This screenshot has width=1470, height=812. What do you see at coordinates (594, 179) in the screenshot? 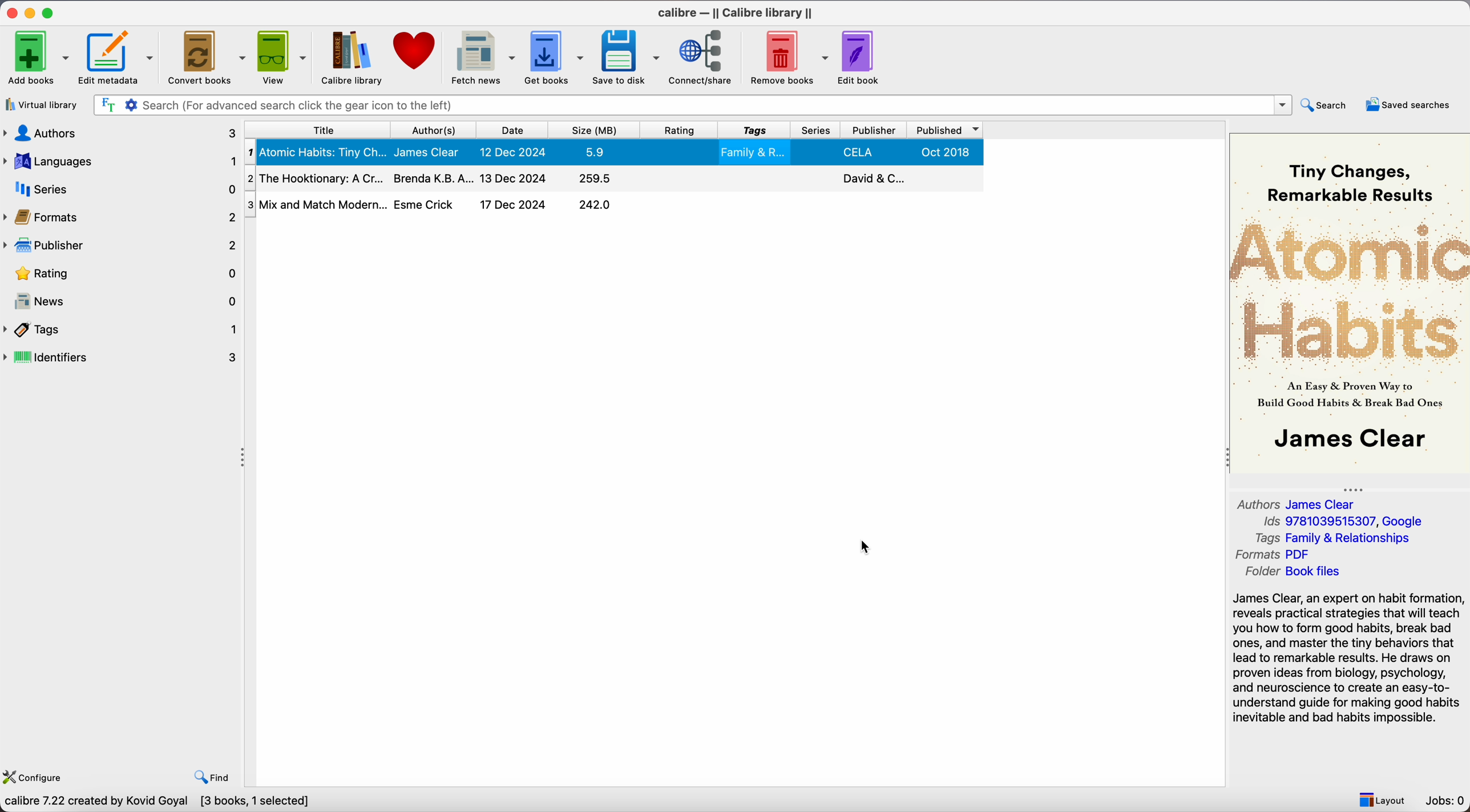
I see `295.5` at bounding box center [594, 179].